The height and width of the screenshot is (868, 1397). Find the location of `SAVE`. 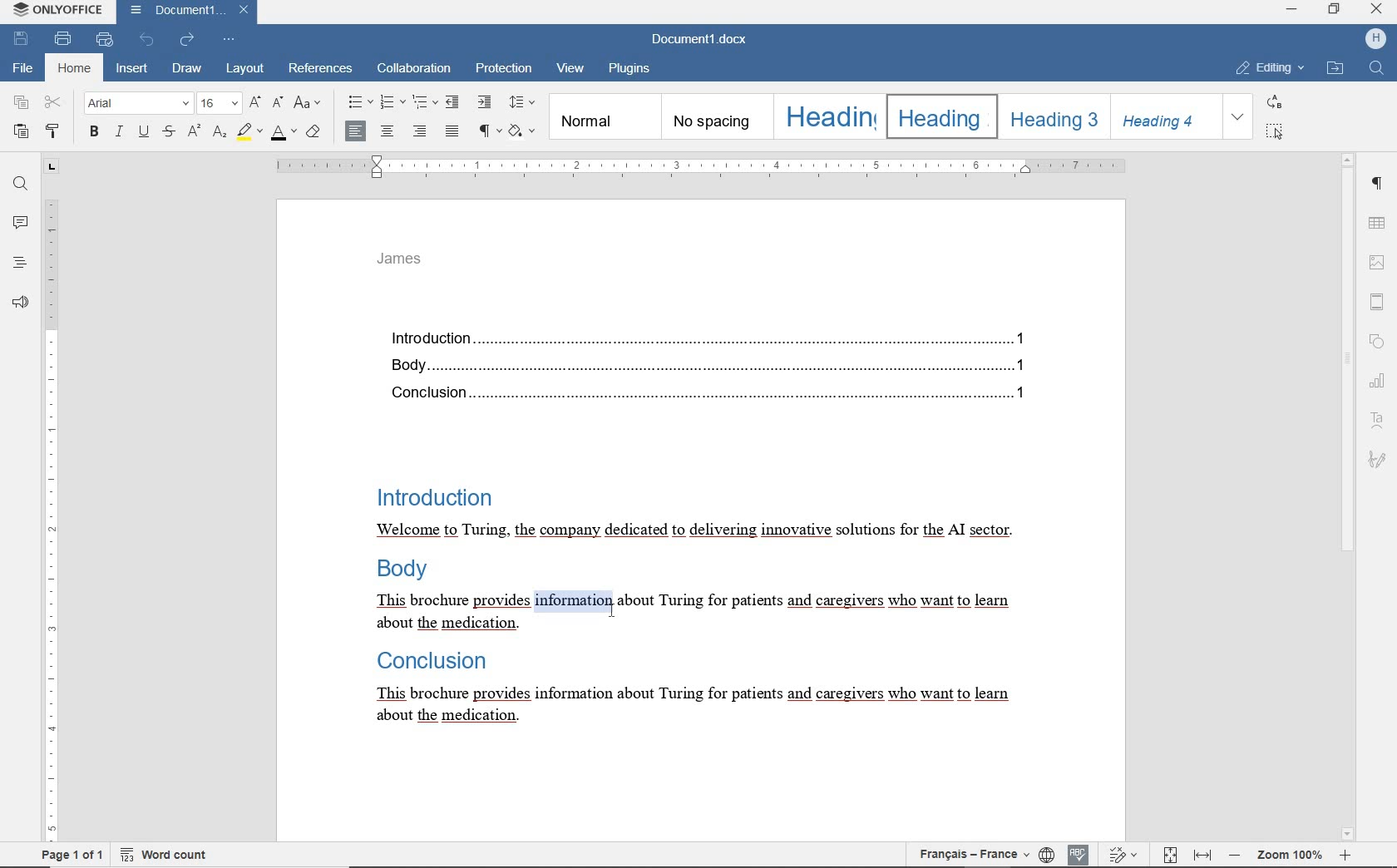

SAVE is located at coordinates (22, 39).